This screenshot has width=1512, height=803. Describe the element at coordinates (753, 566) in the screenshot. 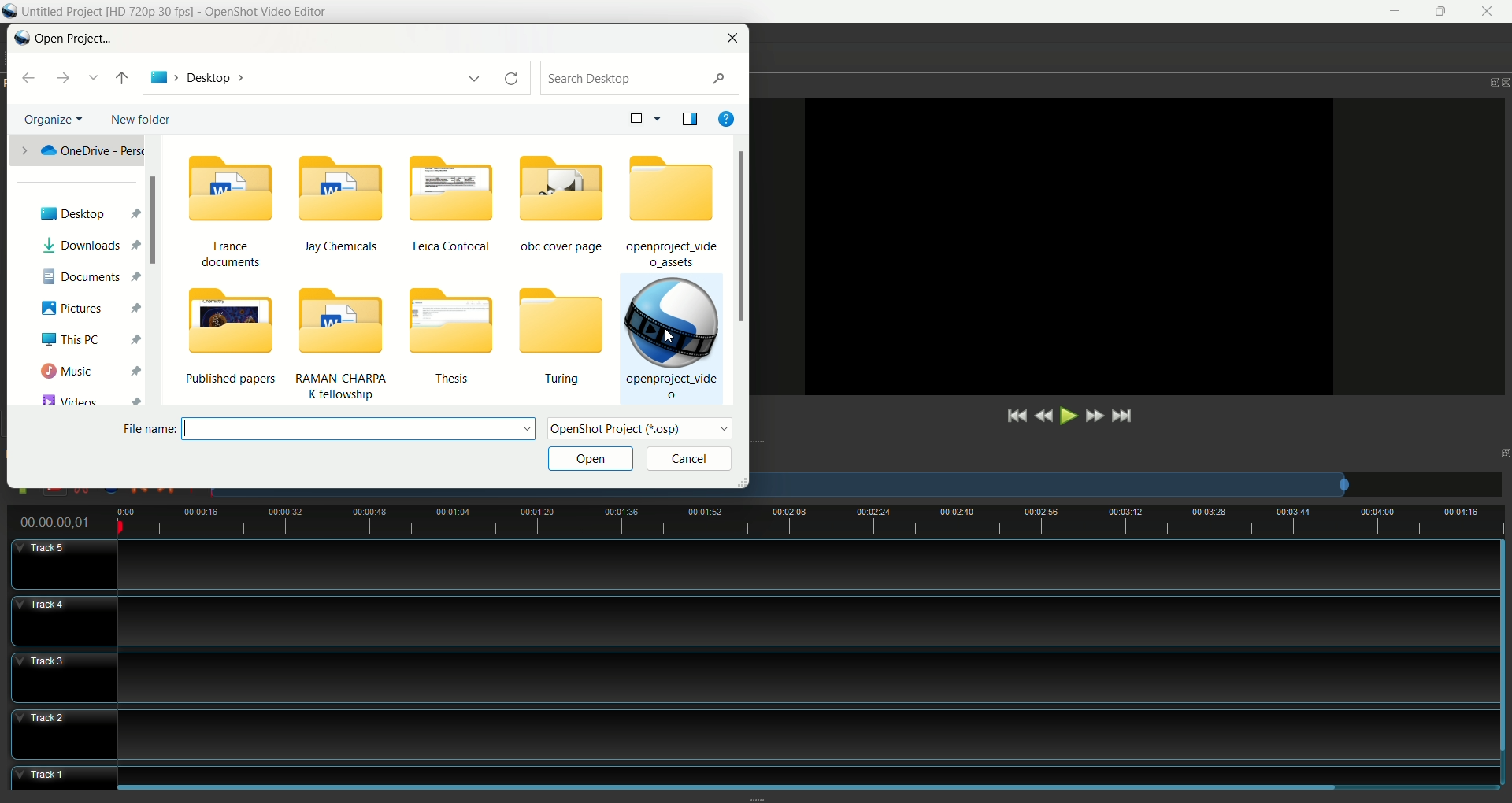

I see `track 5` at that location.